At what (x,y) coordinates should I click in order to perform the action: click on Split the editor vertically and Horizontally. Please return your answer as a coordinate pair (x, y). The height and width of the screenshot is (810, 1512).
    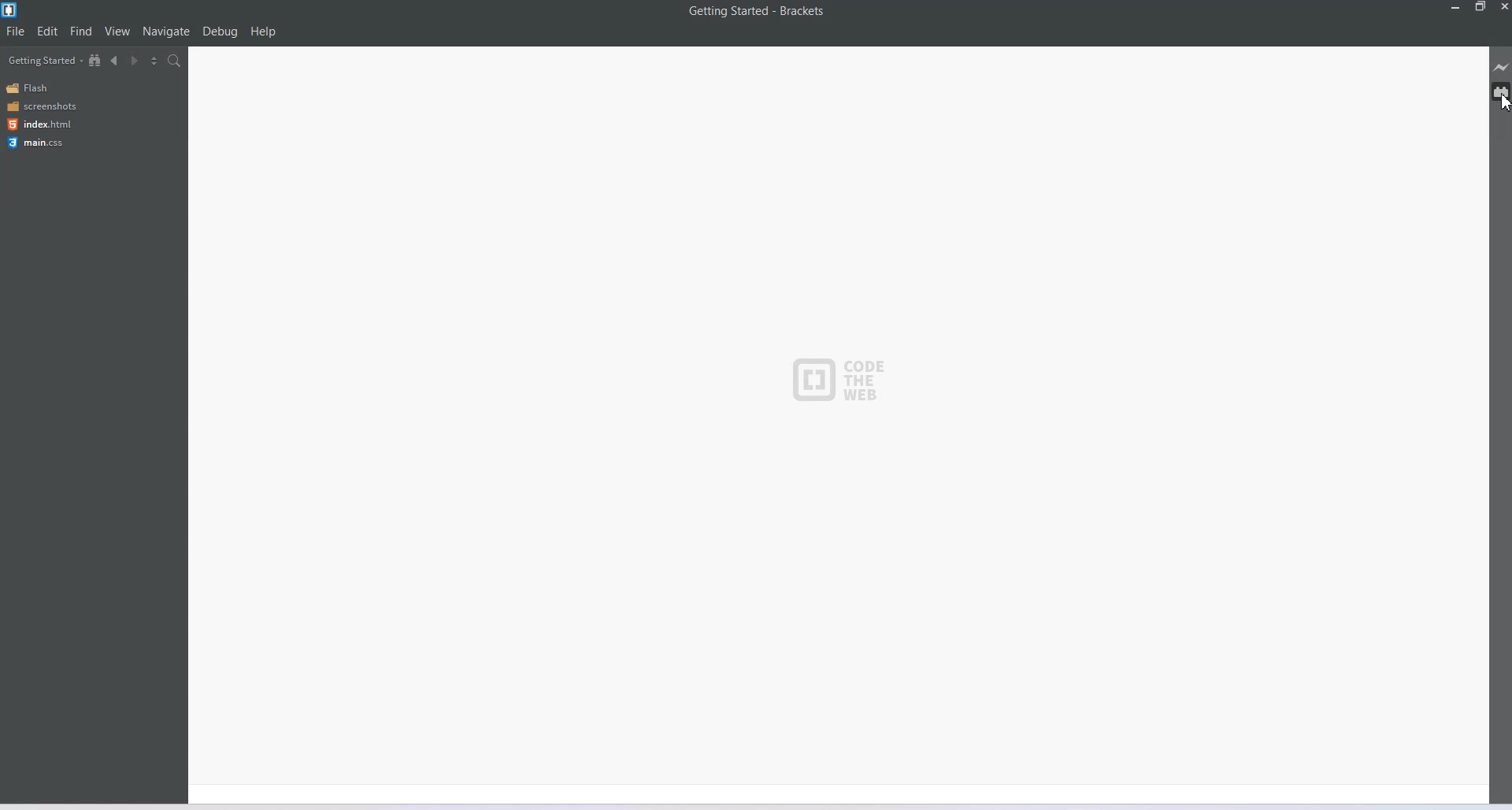
    Looking at the image, I should click on (154, 60).